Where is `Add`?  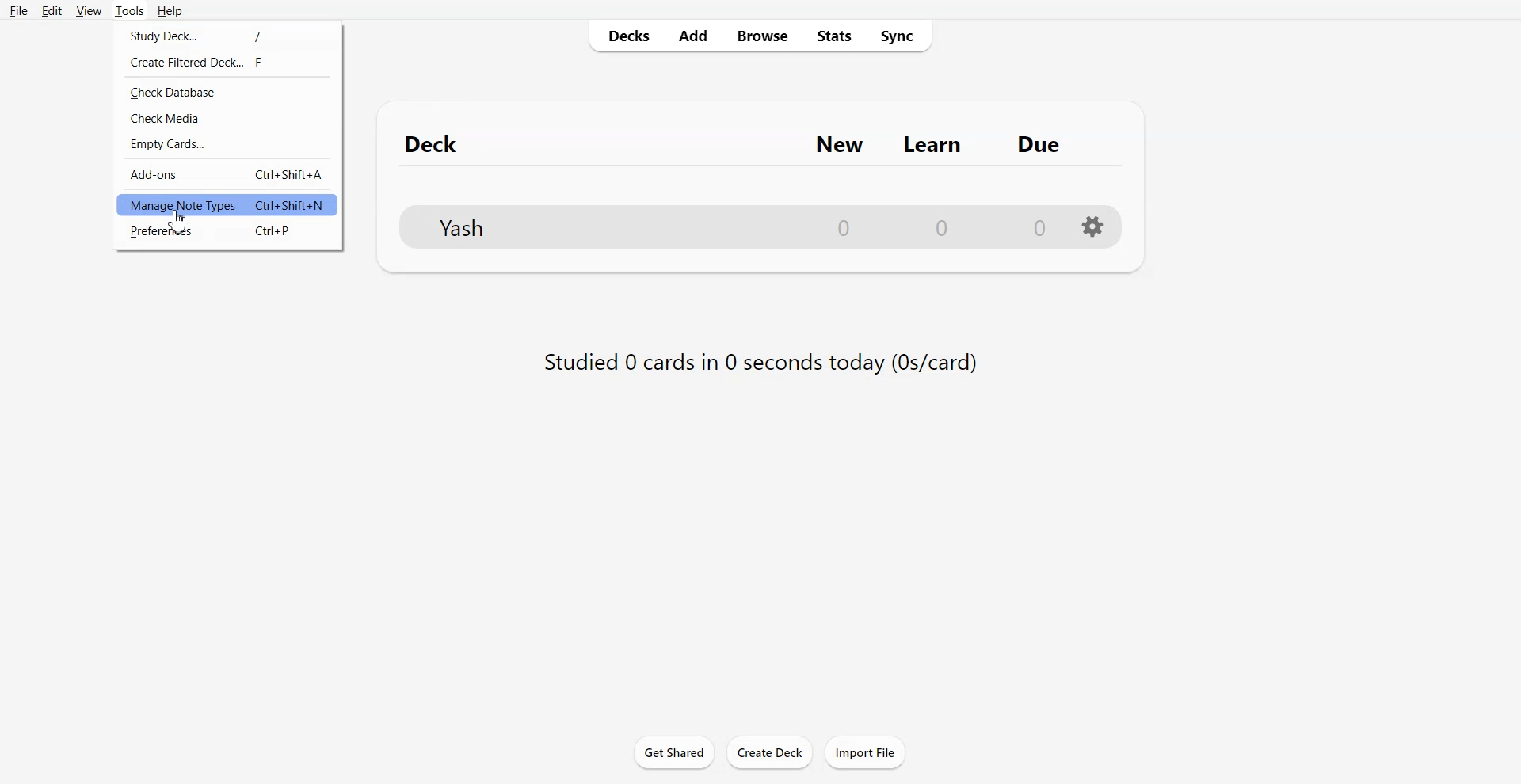
Add is located at coordinates (692, 35).